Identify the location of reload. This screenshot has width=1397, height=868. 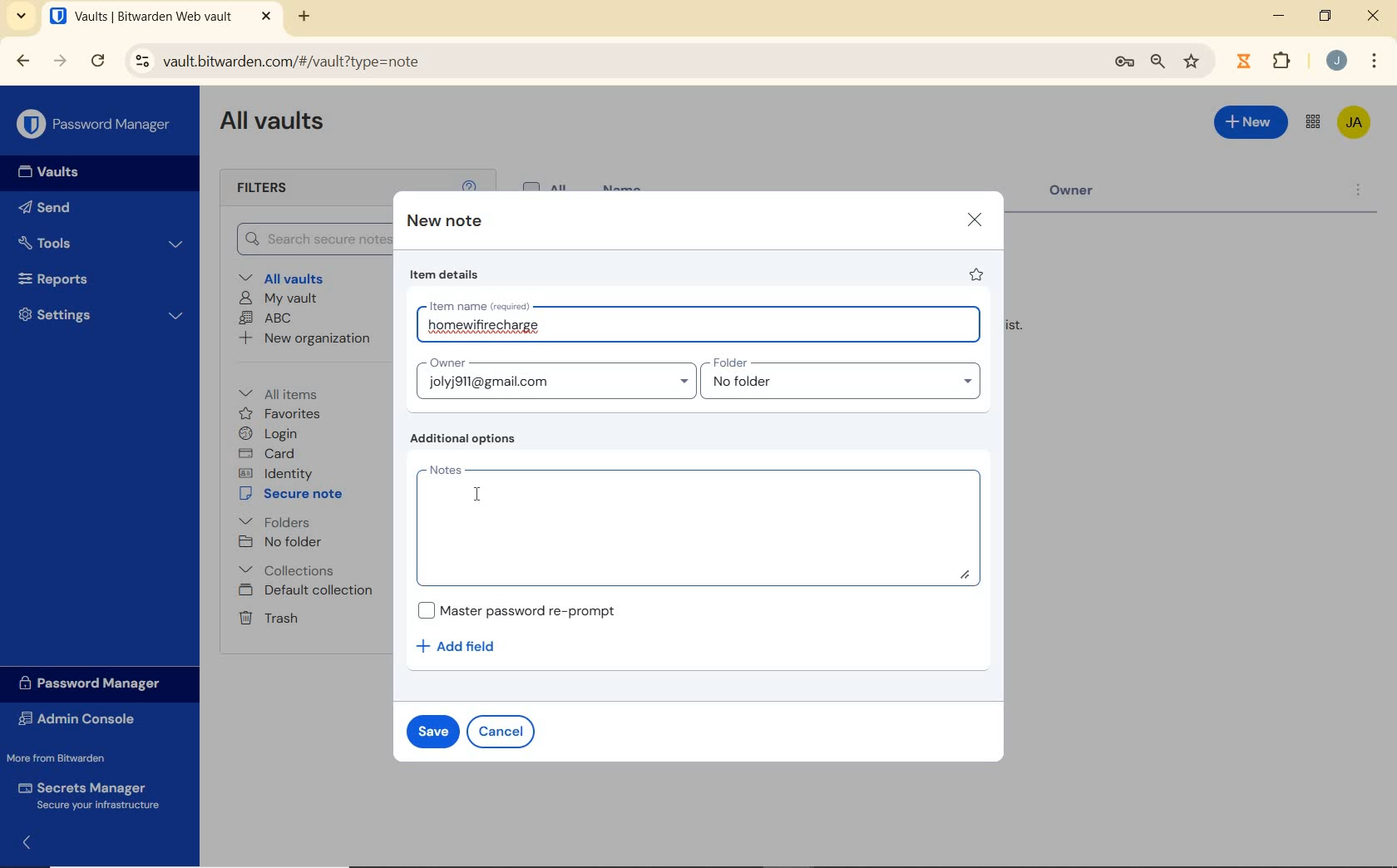
(97, 62).